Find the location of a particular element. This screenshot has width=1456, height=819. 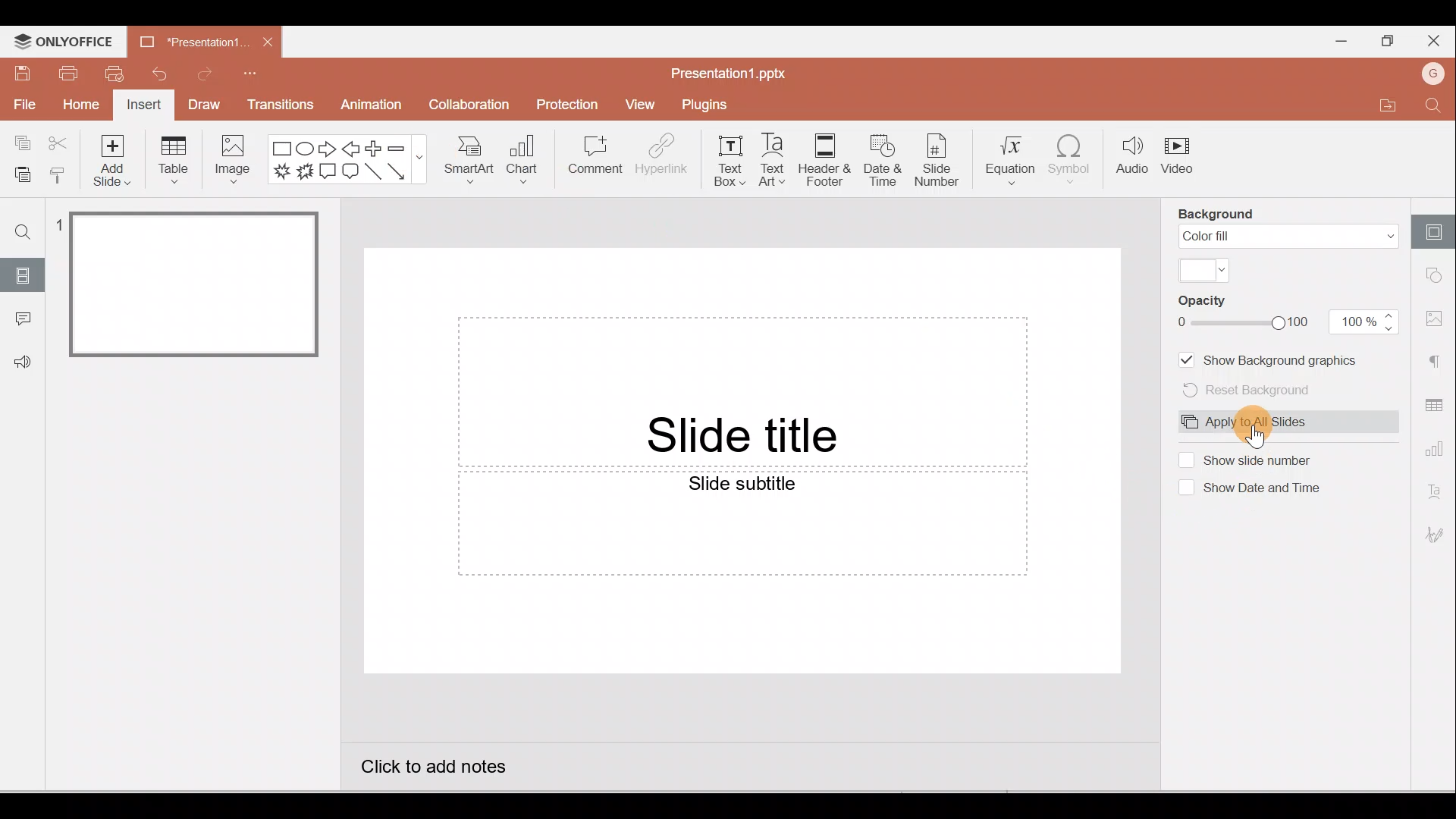

Explosion 1 is located at coordinates (281, 174).